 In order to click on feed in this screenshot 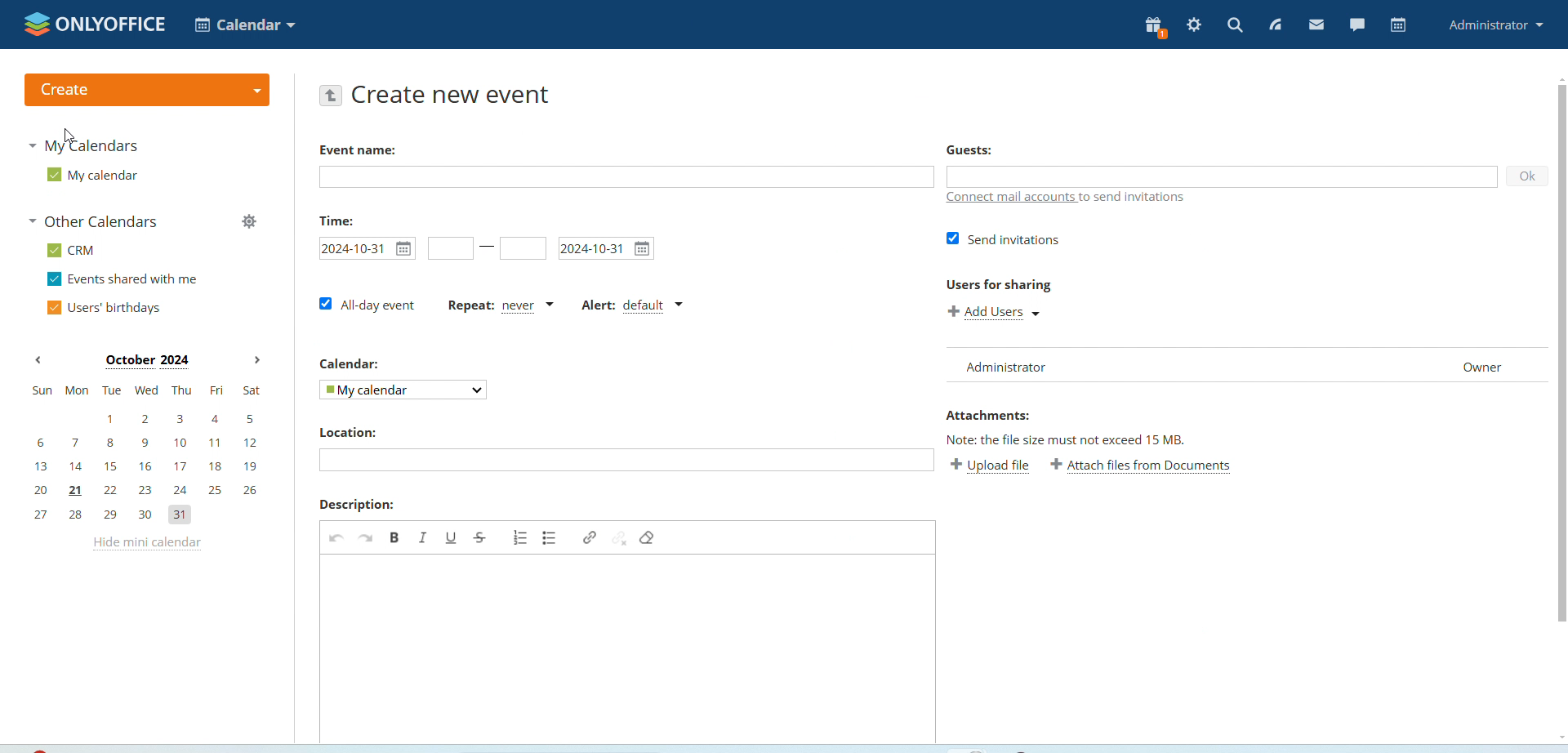, I will do `click(1274, 26)`.